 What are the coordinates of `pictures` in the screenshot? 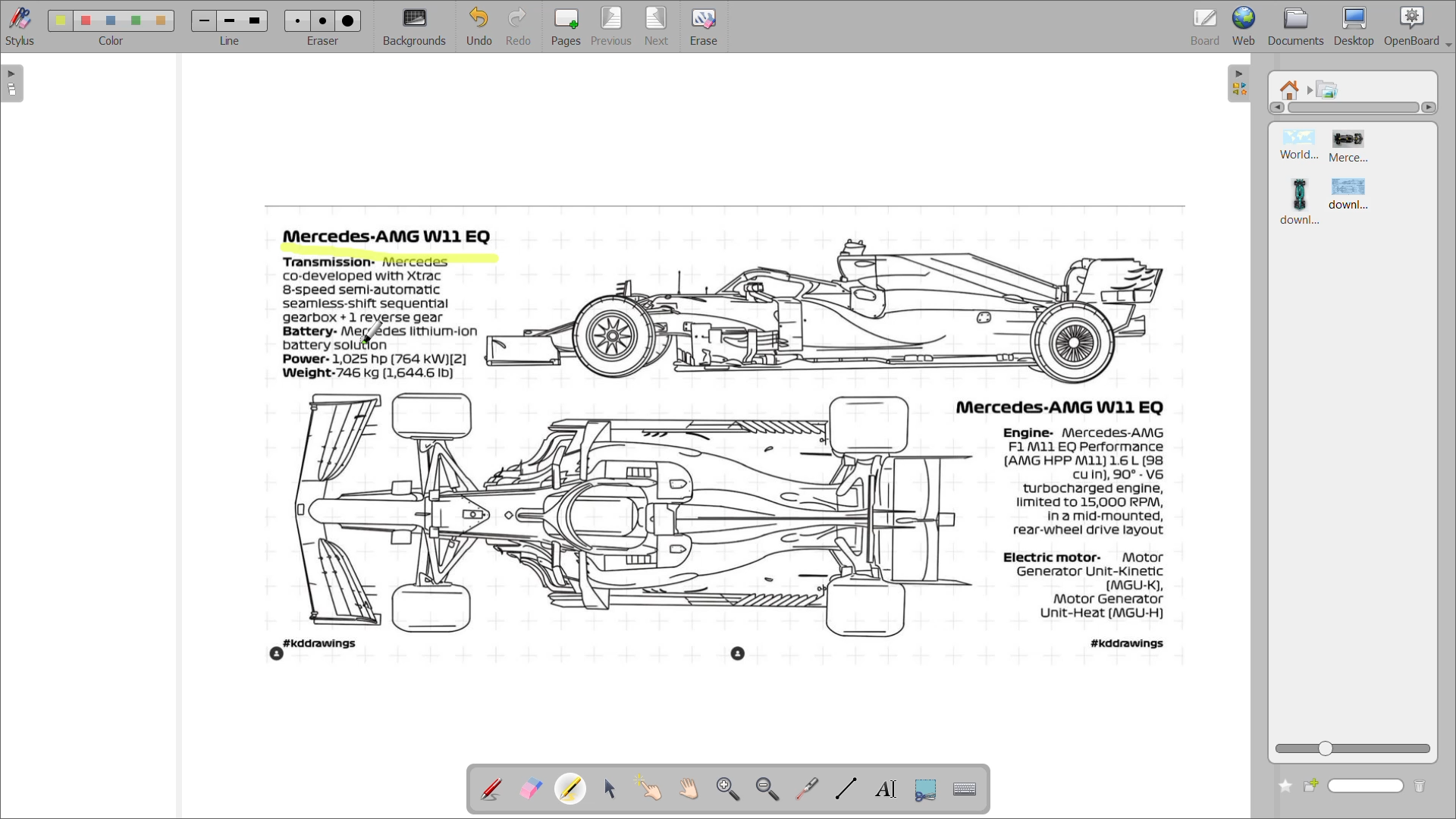 It's located at (1326, 86).